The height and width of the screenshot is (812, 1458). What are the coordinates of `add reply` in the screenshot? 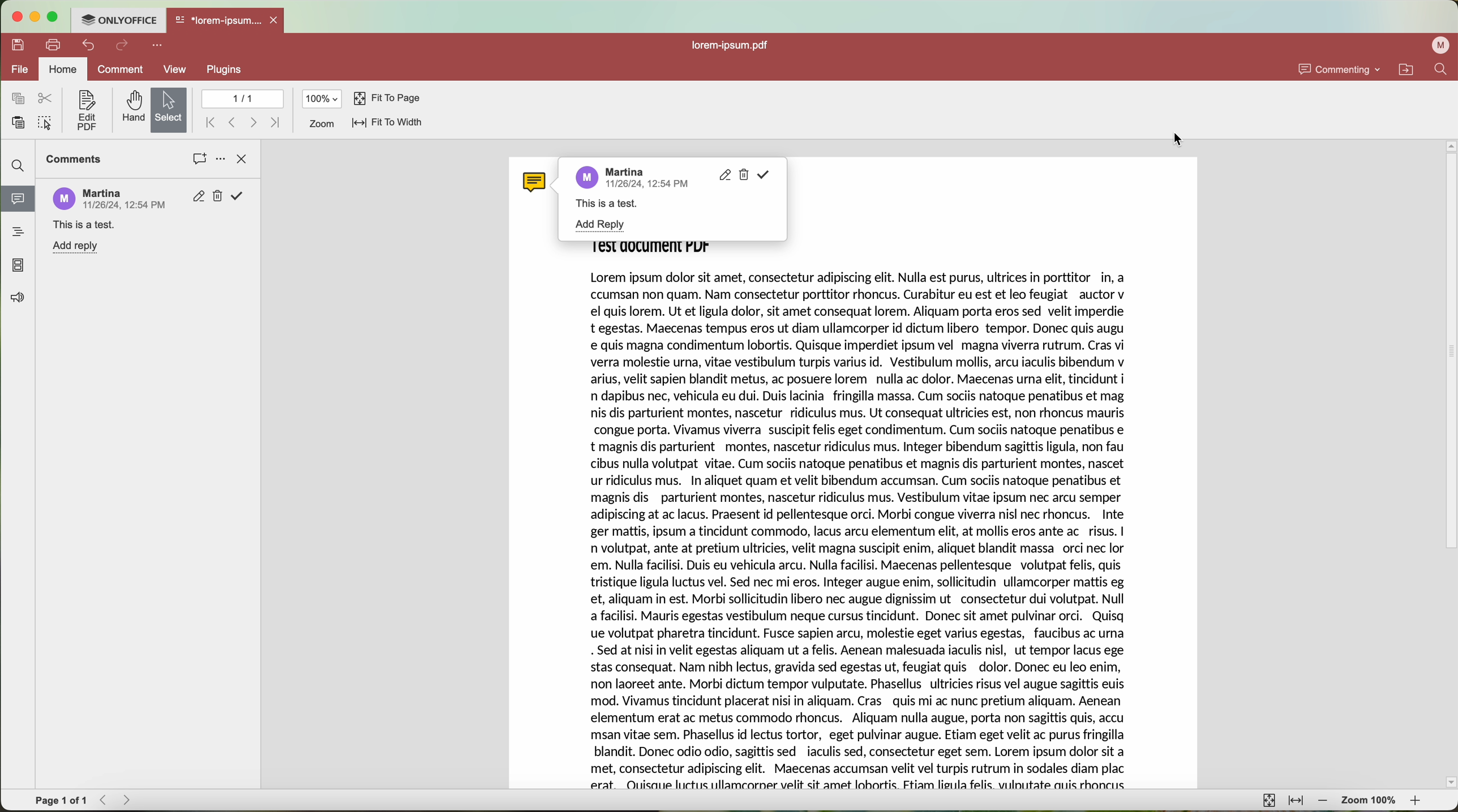 It's located at (78, 247).